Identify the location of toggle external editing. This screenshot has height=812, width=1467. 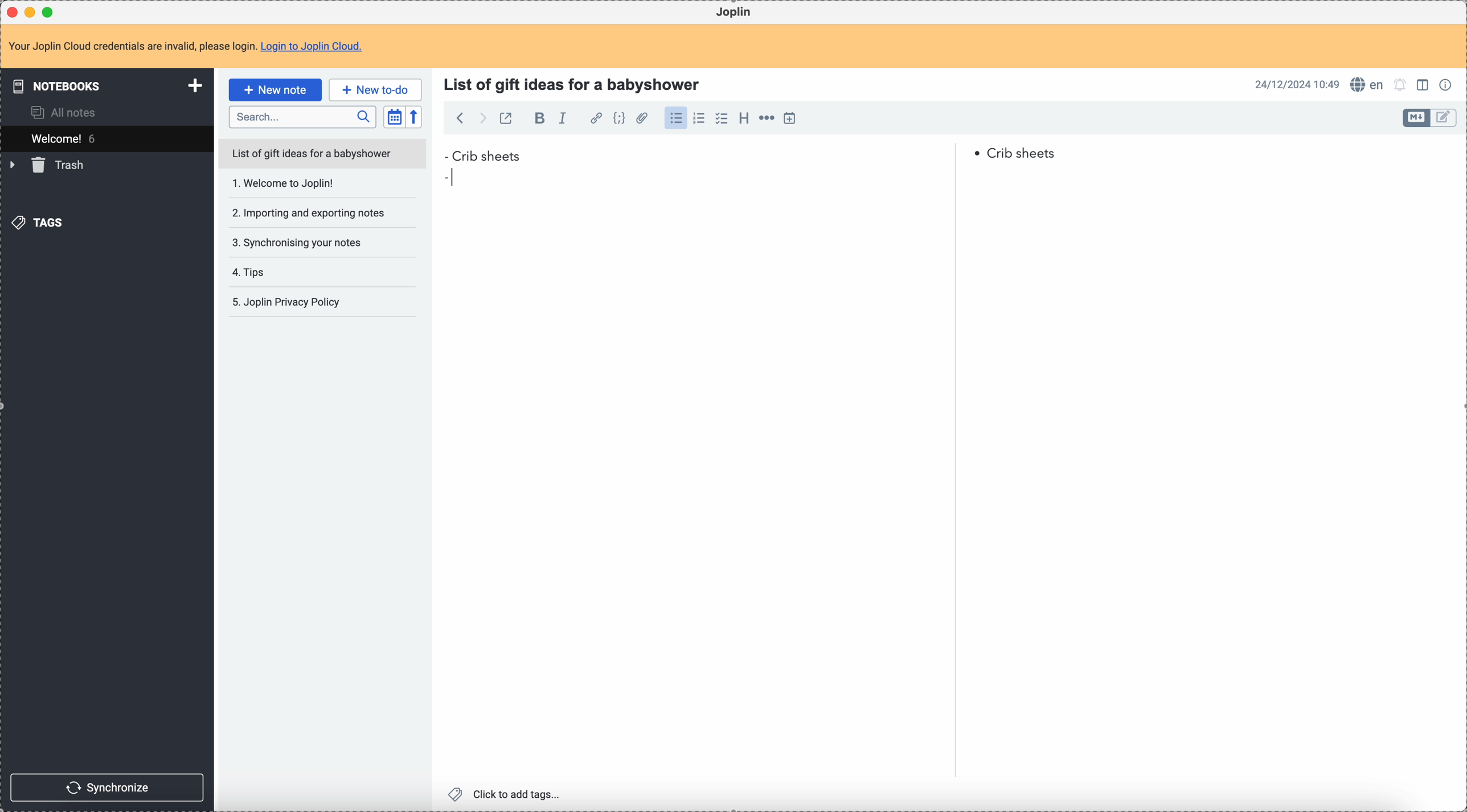
(505, 118).